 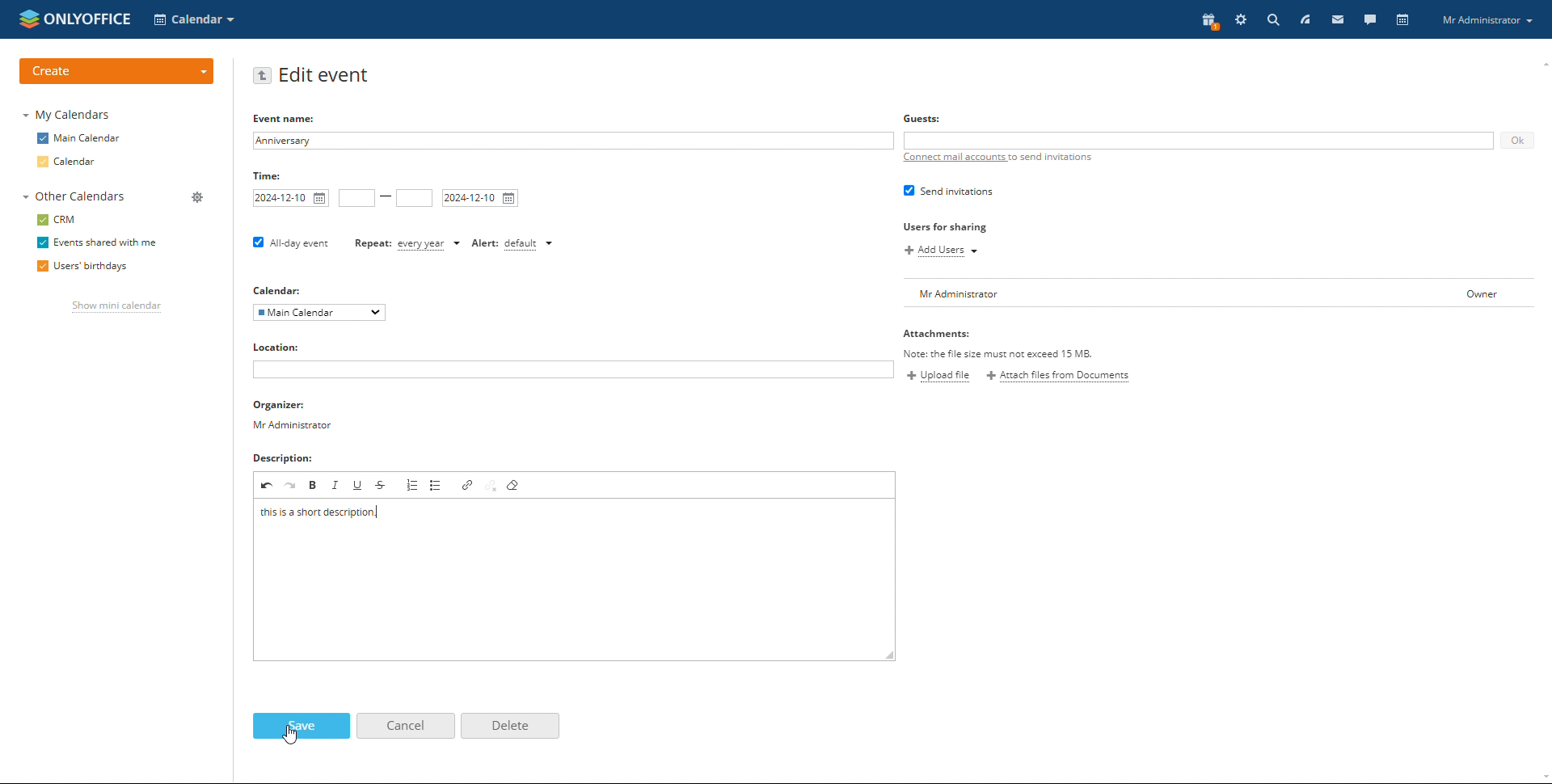 What do you see at coordinates (1196, 141) in the screenshot?
I see `add guests` at bounding box center [1196, 141].